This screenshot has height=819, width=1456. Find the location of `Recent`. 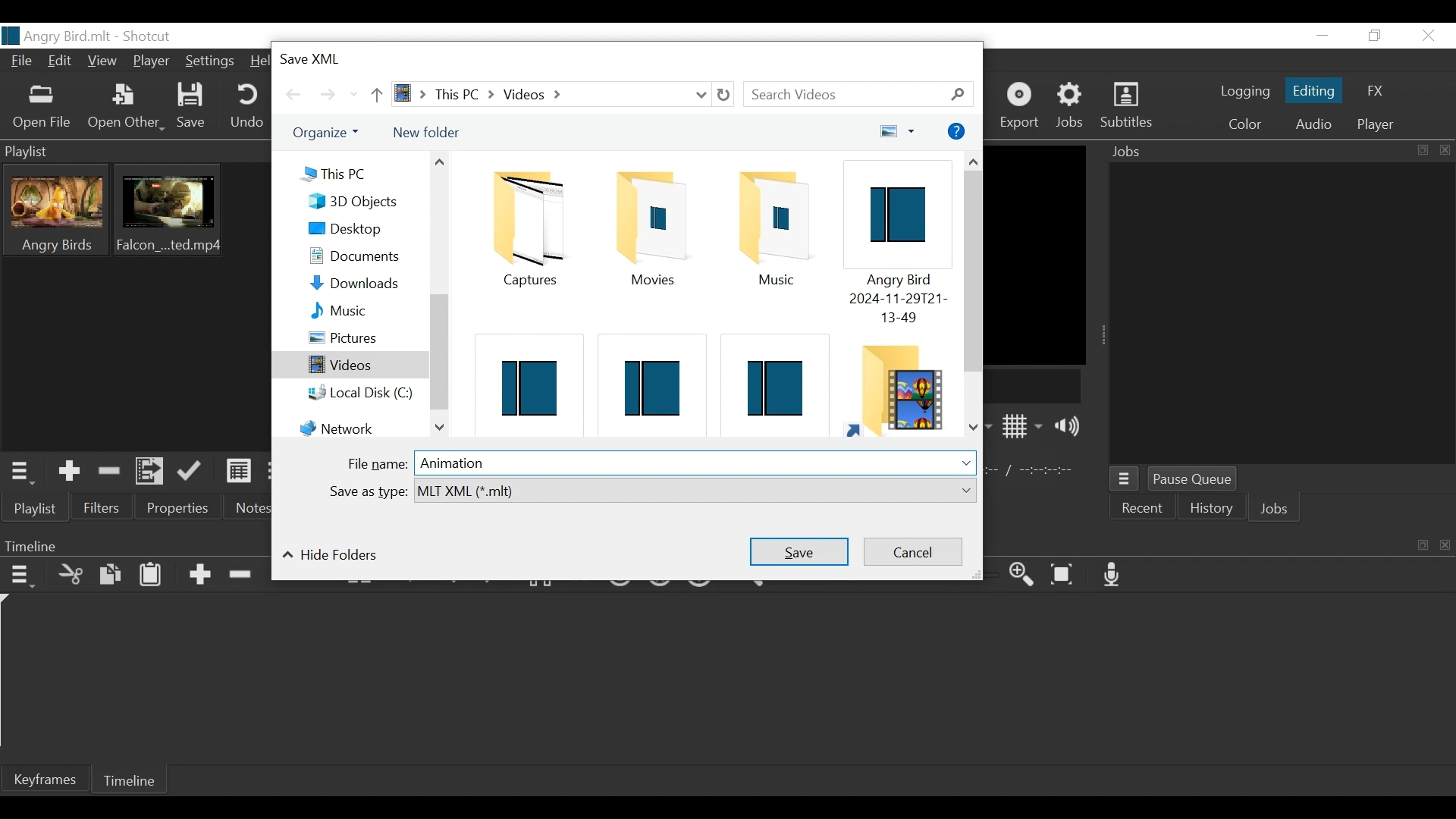

Recent is located at coordinates (1144, 510).